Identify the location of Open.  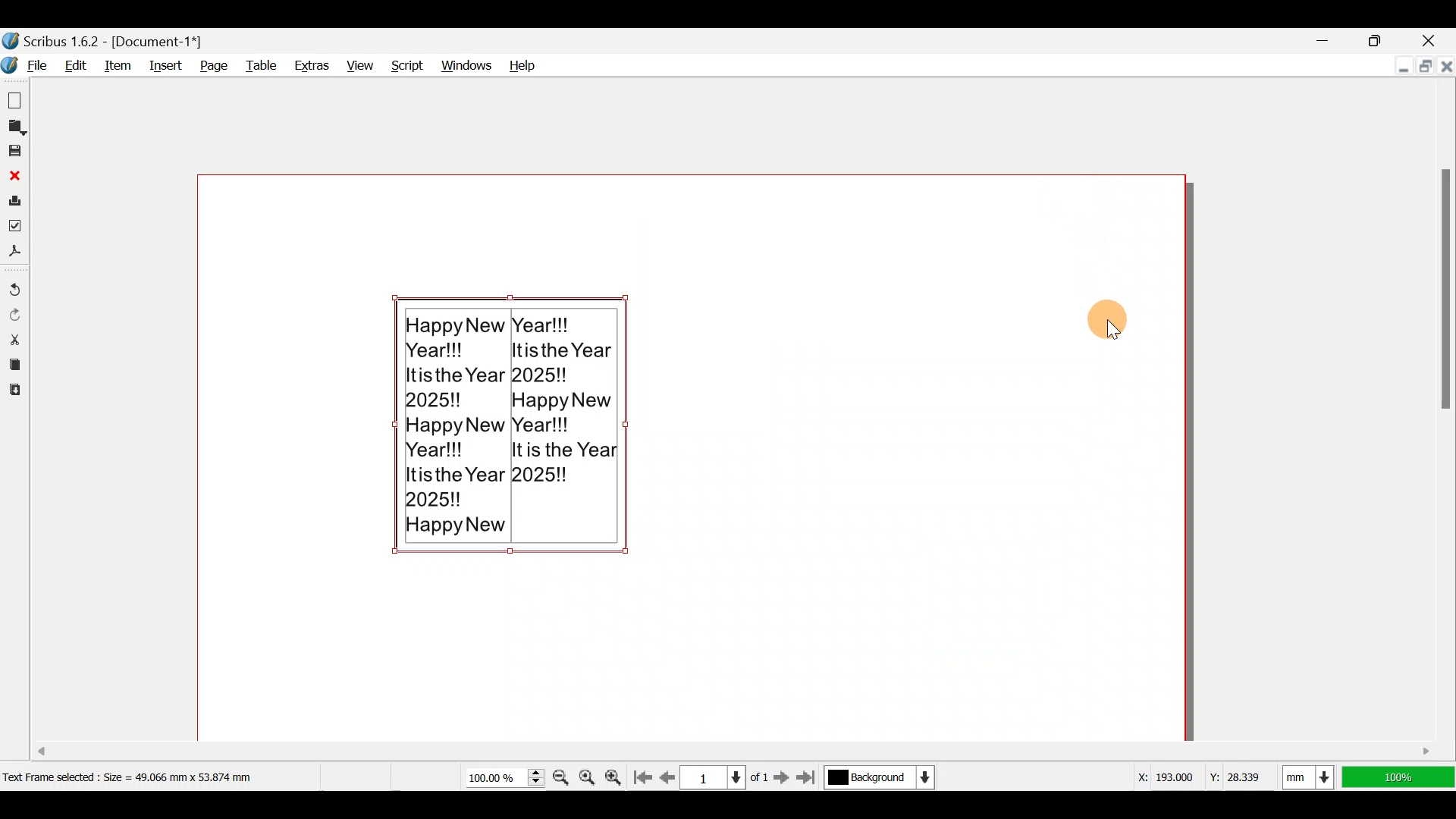
(17, 127).